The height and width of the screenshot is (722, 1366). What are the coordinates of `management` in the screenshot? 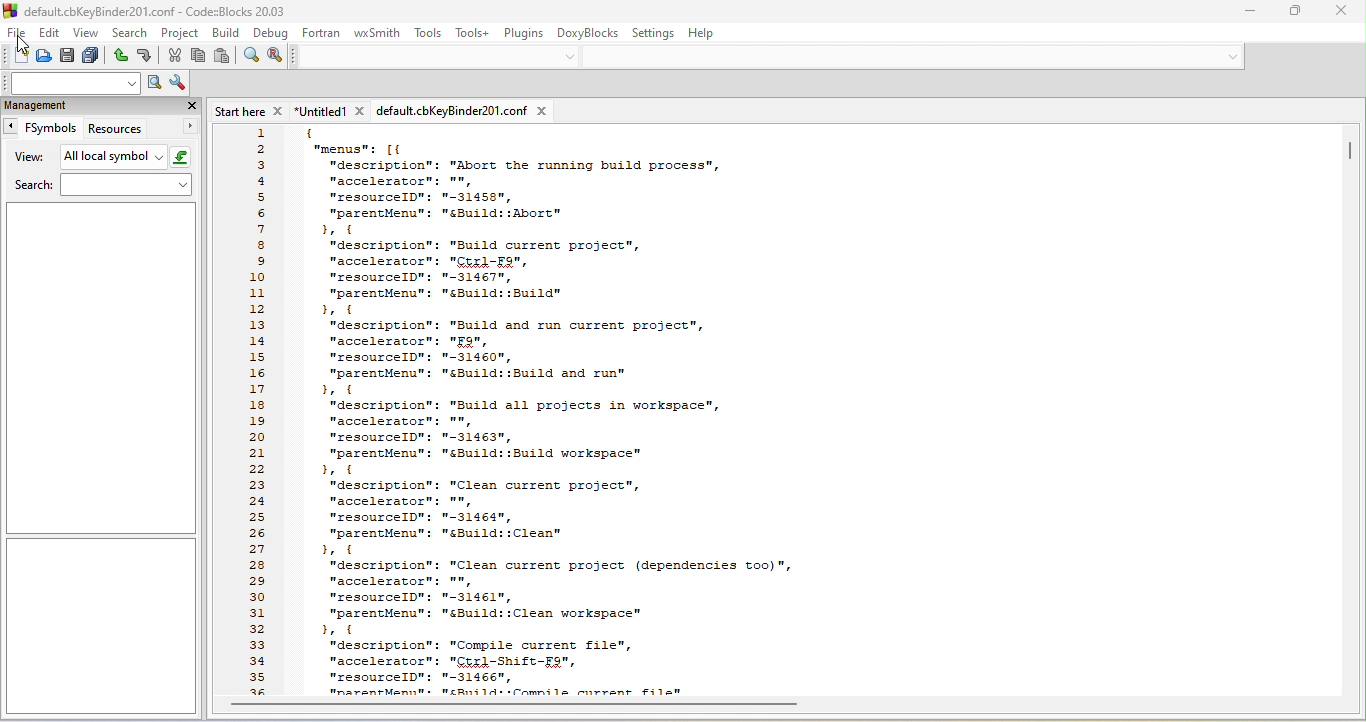 It's located at (76, 105).